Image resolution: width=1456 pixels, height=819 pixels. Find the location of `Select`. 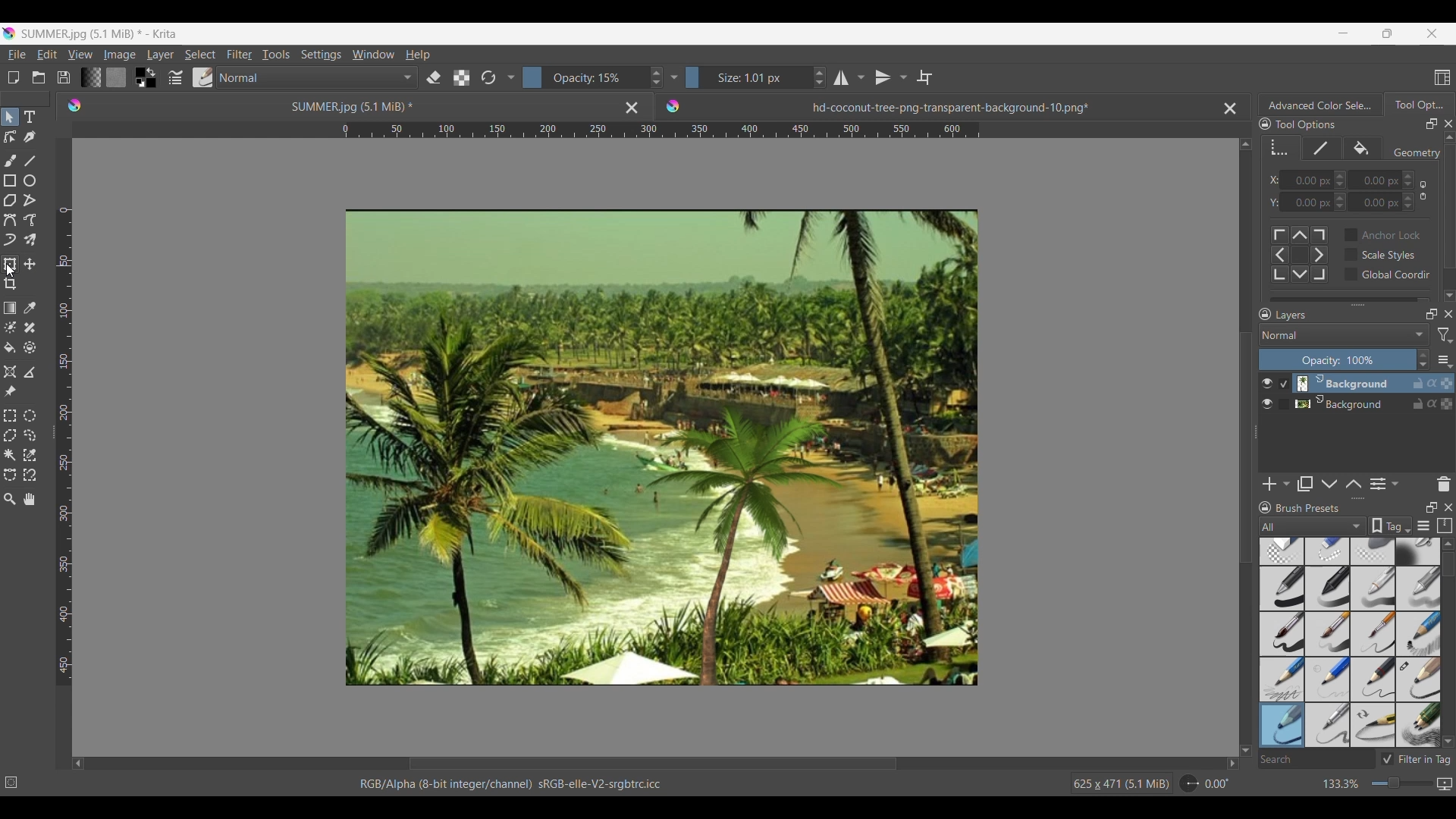

Select is located at coordinates (200, 55).